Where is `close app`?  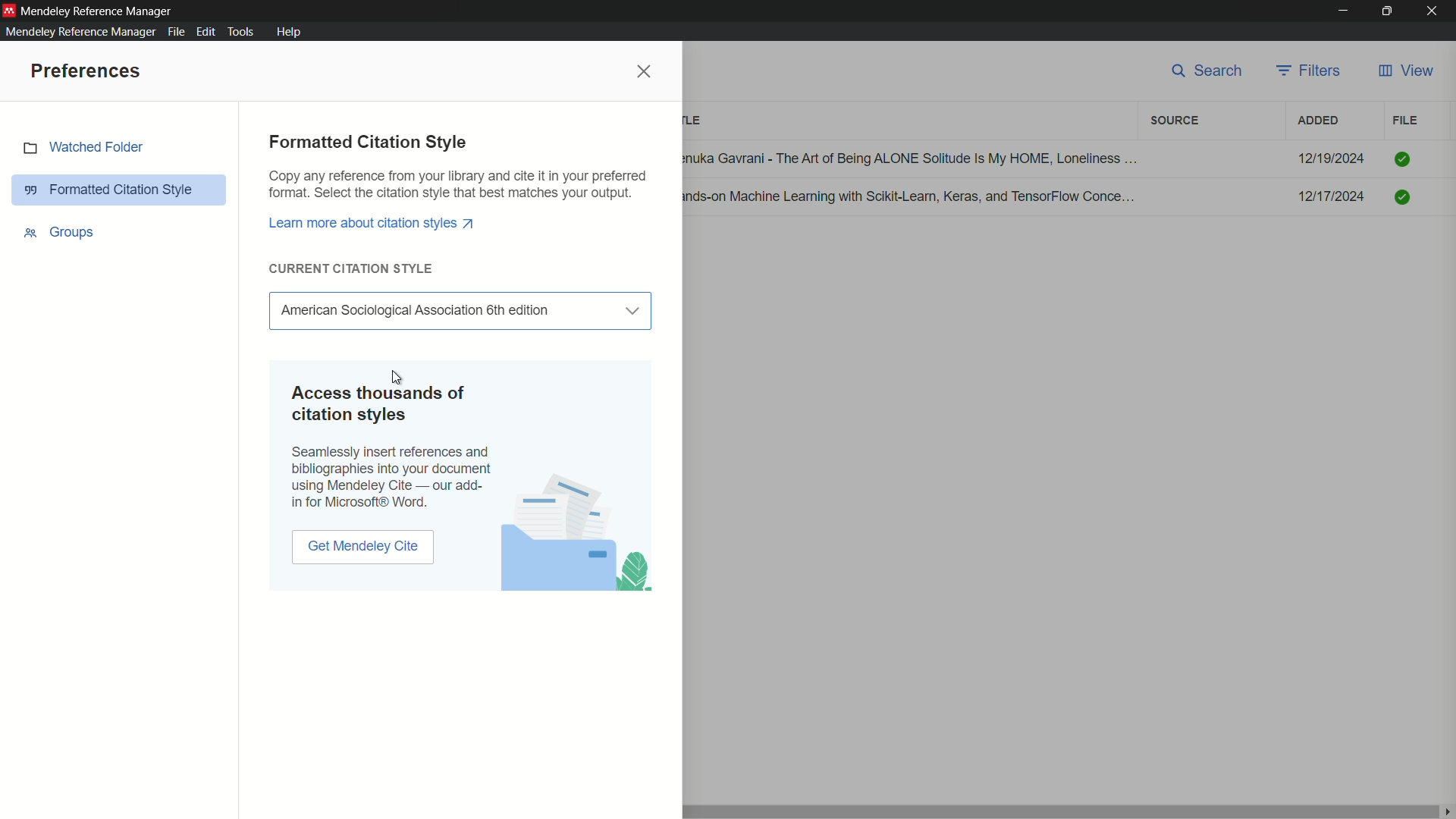 close app is located at coordinates (1436, 11).